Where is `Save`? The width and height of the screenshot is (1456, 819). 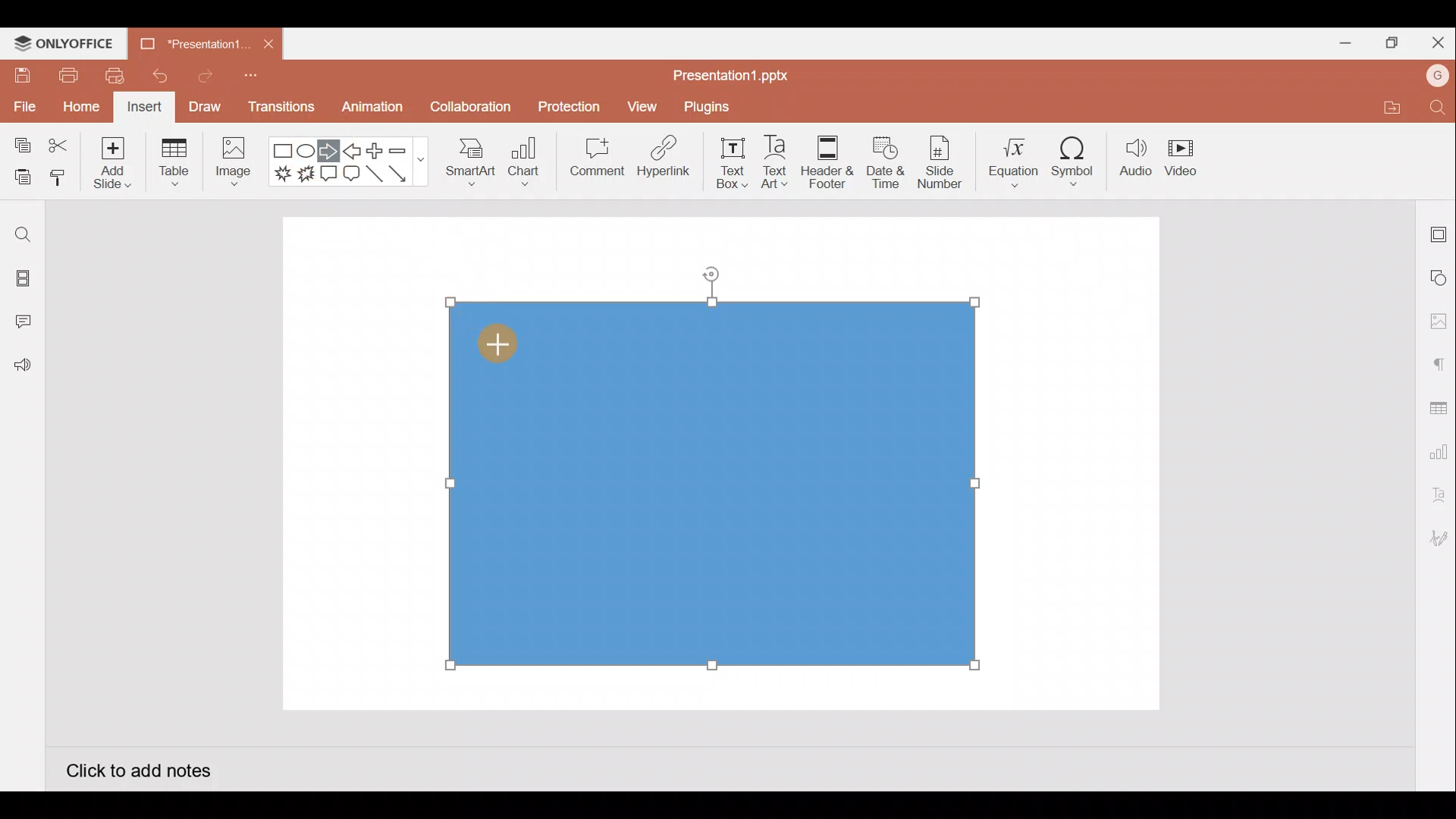 Save is located at coordinates (20, 74).